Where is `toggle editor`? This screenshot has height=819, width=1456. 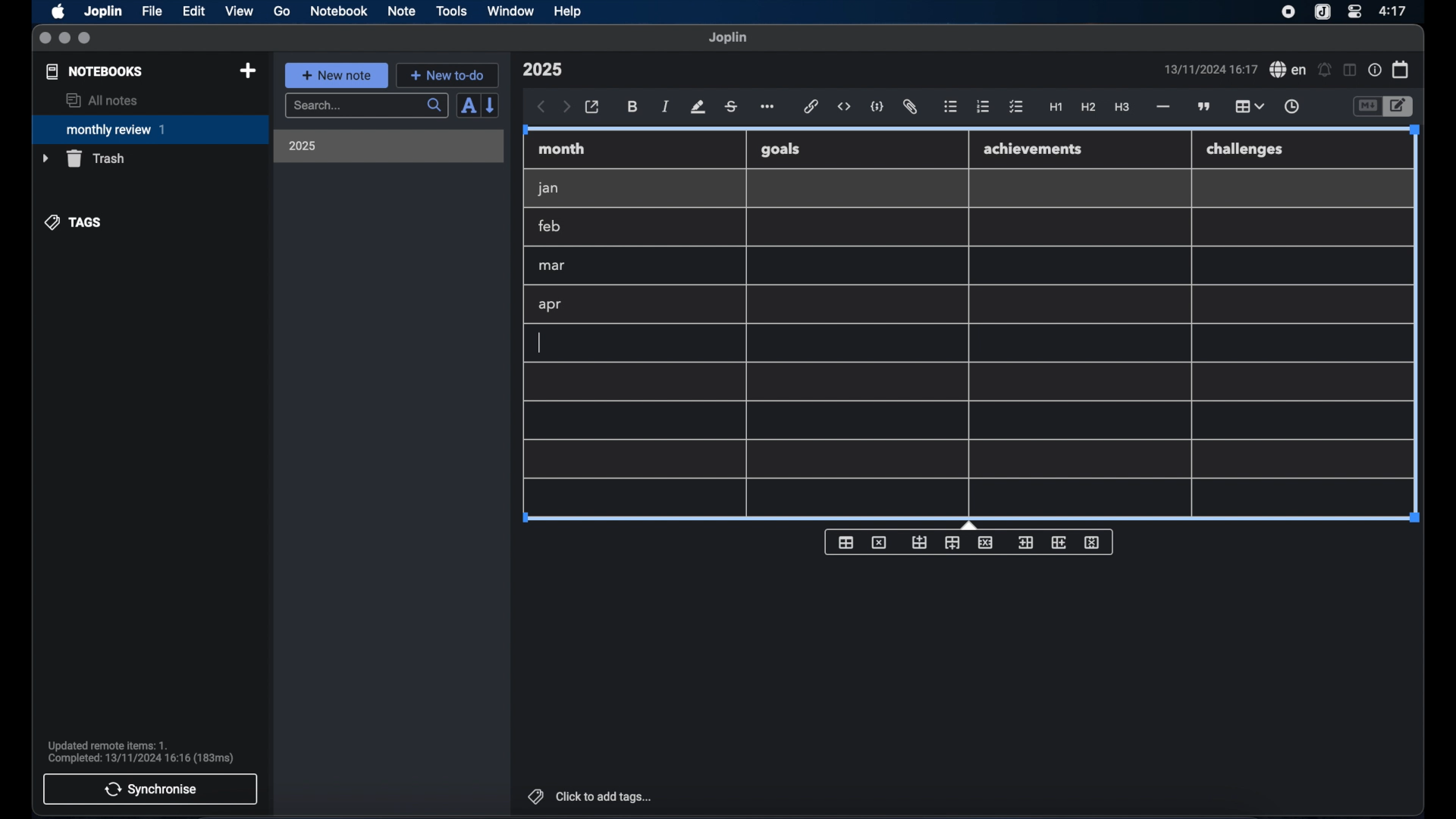
toggle editor is located at coordinates (1401, 107).